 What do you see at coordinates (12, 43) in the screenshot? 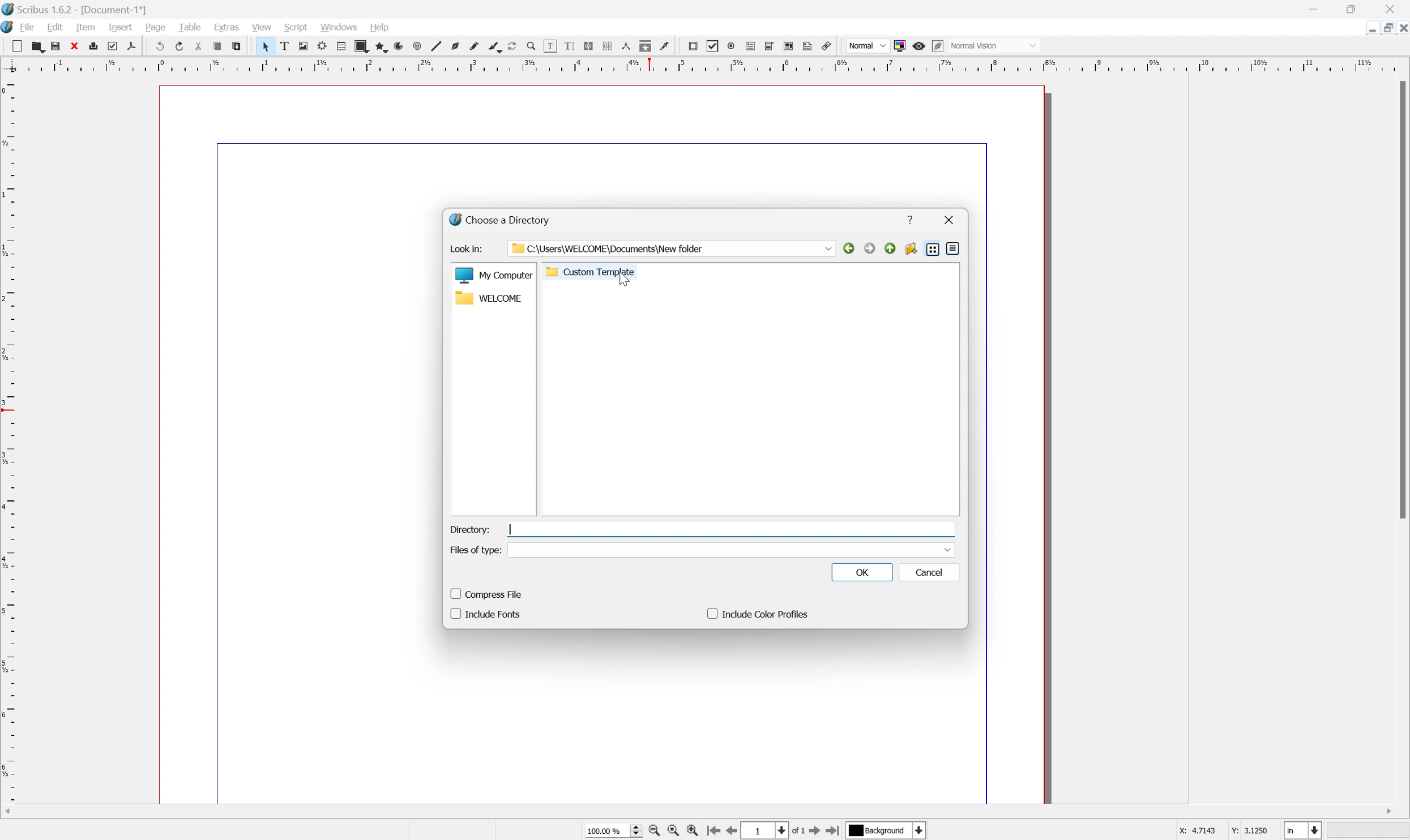
I see `cut` at bounding box center [12, 43].